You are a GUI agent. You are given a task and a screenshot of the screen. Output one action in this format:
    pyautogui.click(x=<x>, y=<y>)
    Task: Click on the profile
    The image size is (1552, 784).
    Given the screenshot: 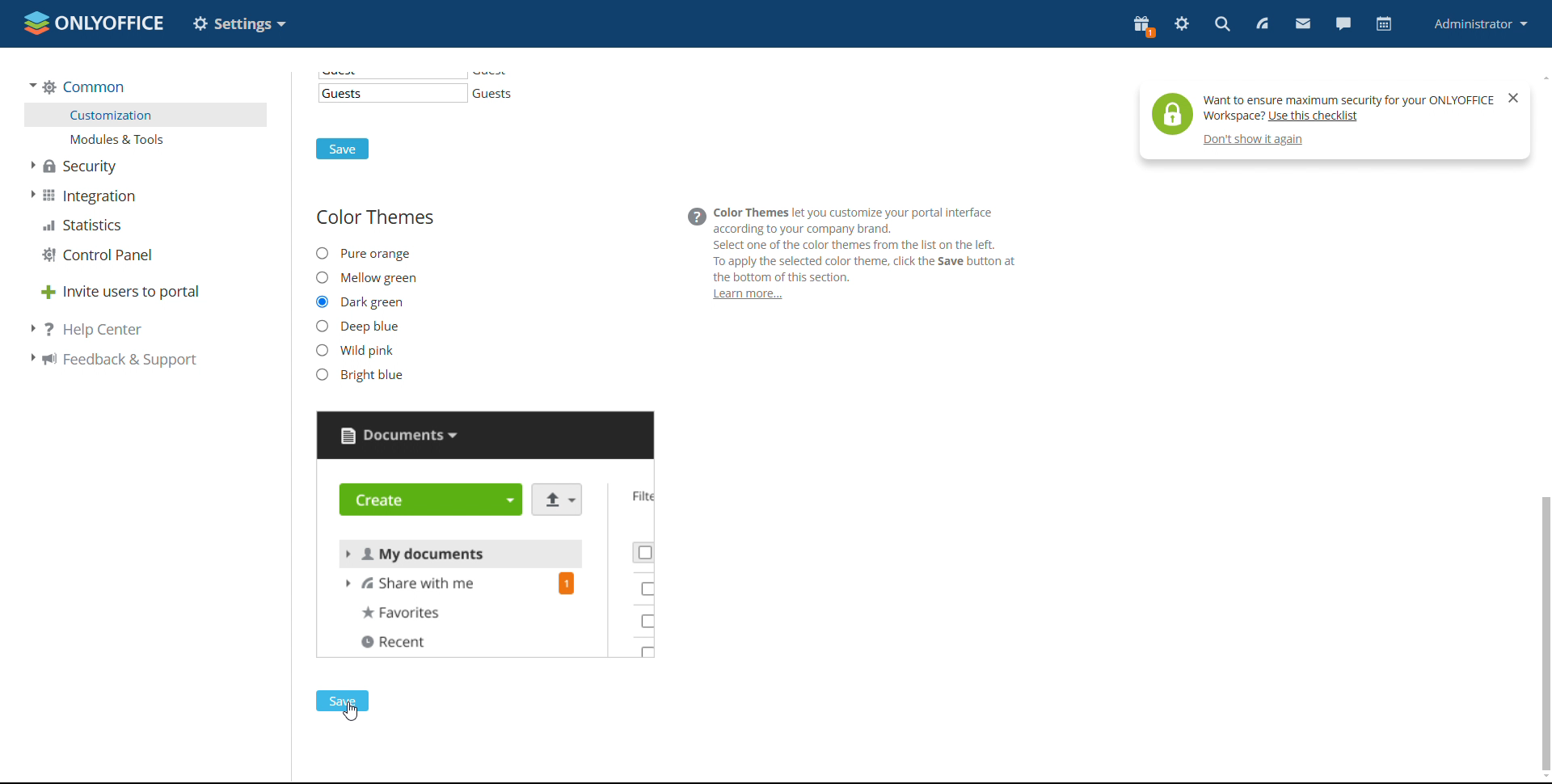 What is the action you would take?
    pyautogui.click(x=1478, y=23)
    